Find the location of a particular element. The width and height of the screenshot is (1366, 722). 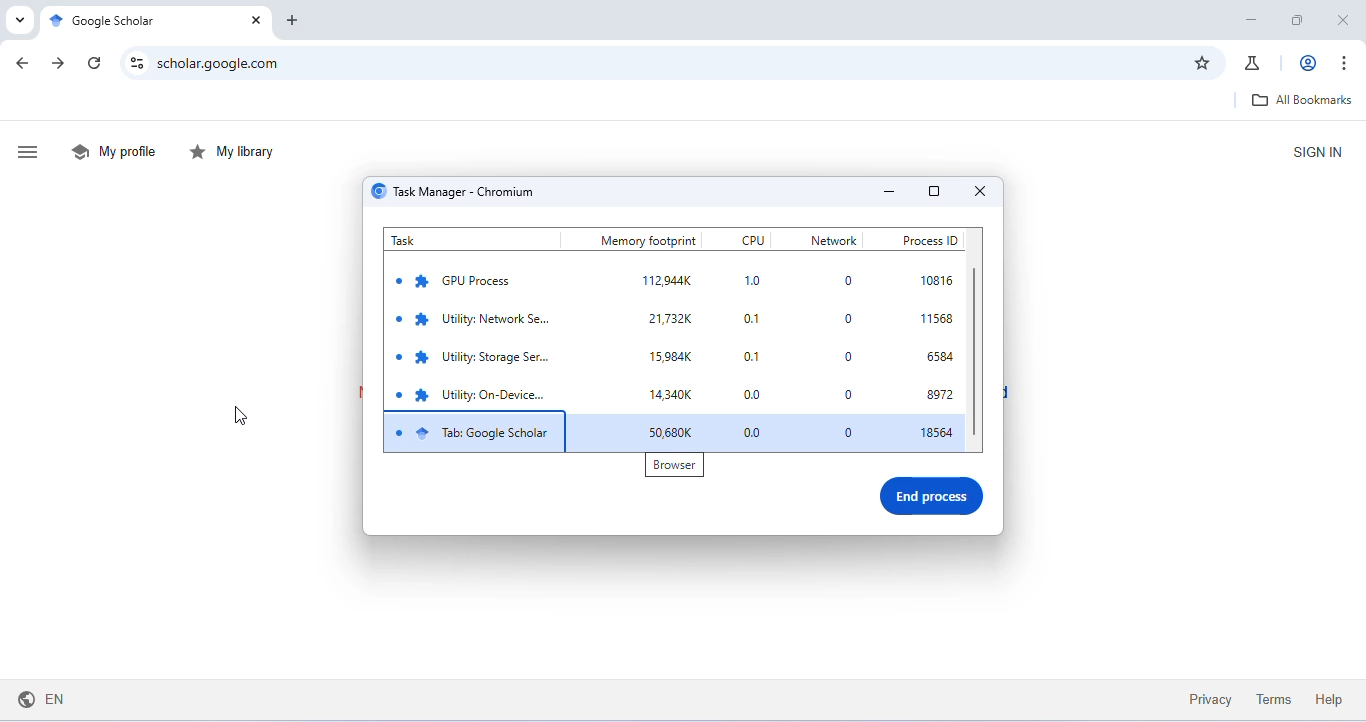

vertical scroll bar is located at coordinates (978, 356).